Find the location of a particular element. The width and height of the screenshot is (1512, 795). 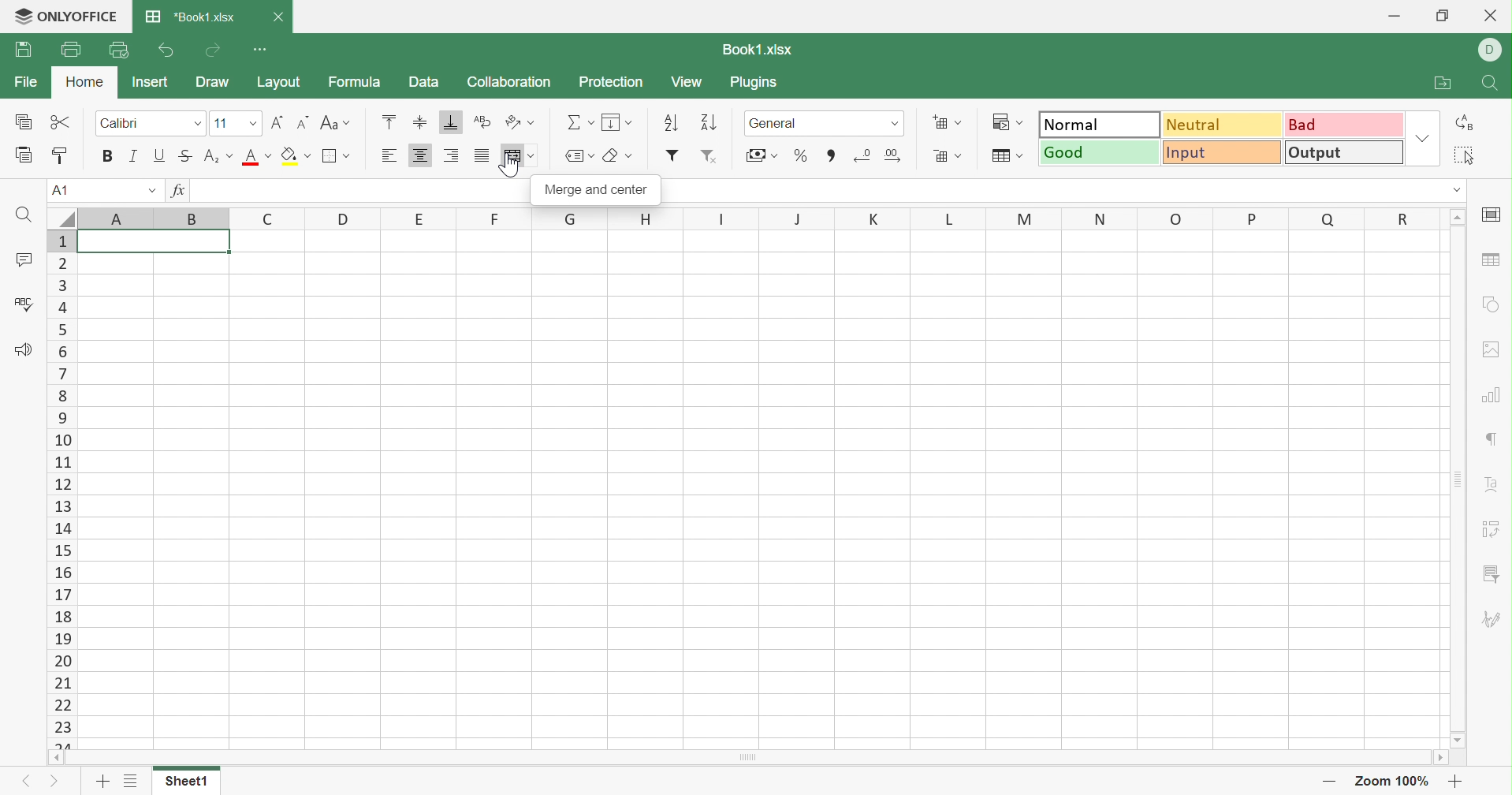

Zoom 100% is located at coordinates (1396, 781).